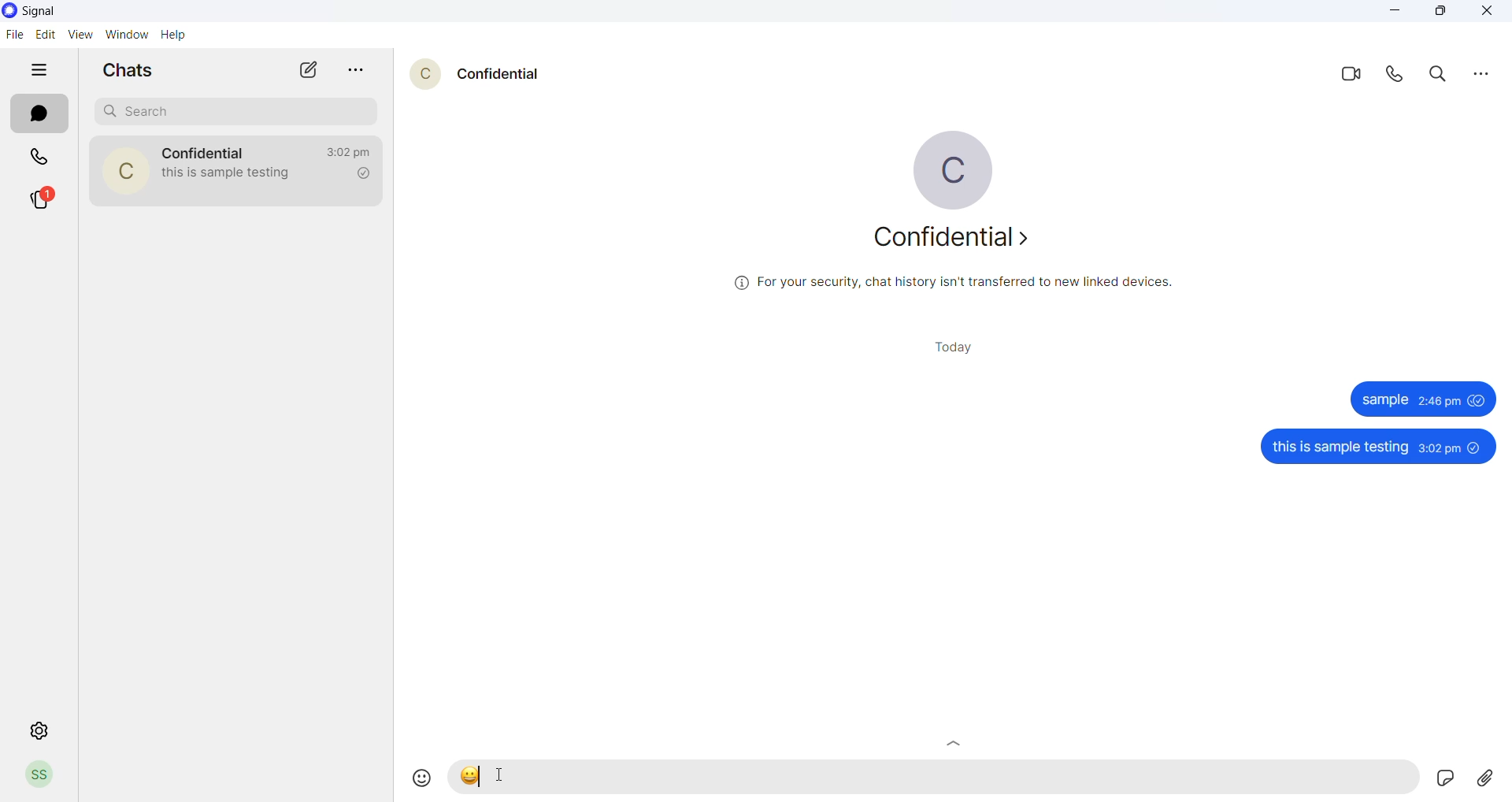  I want to click on emojis, so click(418, 779).